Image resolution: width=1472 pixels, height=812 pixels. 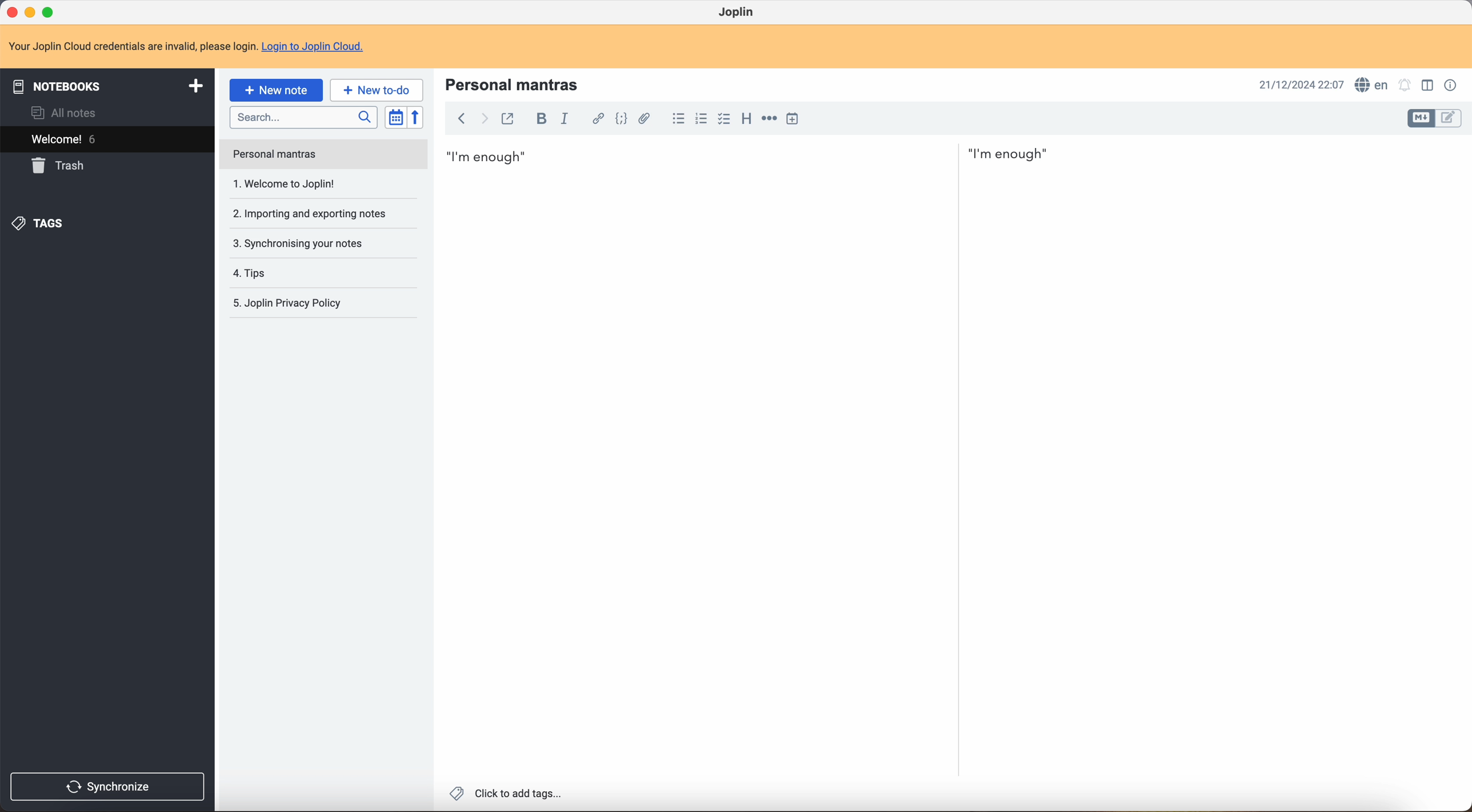 What do you see at coordinates (516, 83) in the screenshot?
I see `personal mantras title` at bounding box center [516, 83].